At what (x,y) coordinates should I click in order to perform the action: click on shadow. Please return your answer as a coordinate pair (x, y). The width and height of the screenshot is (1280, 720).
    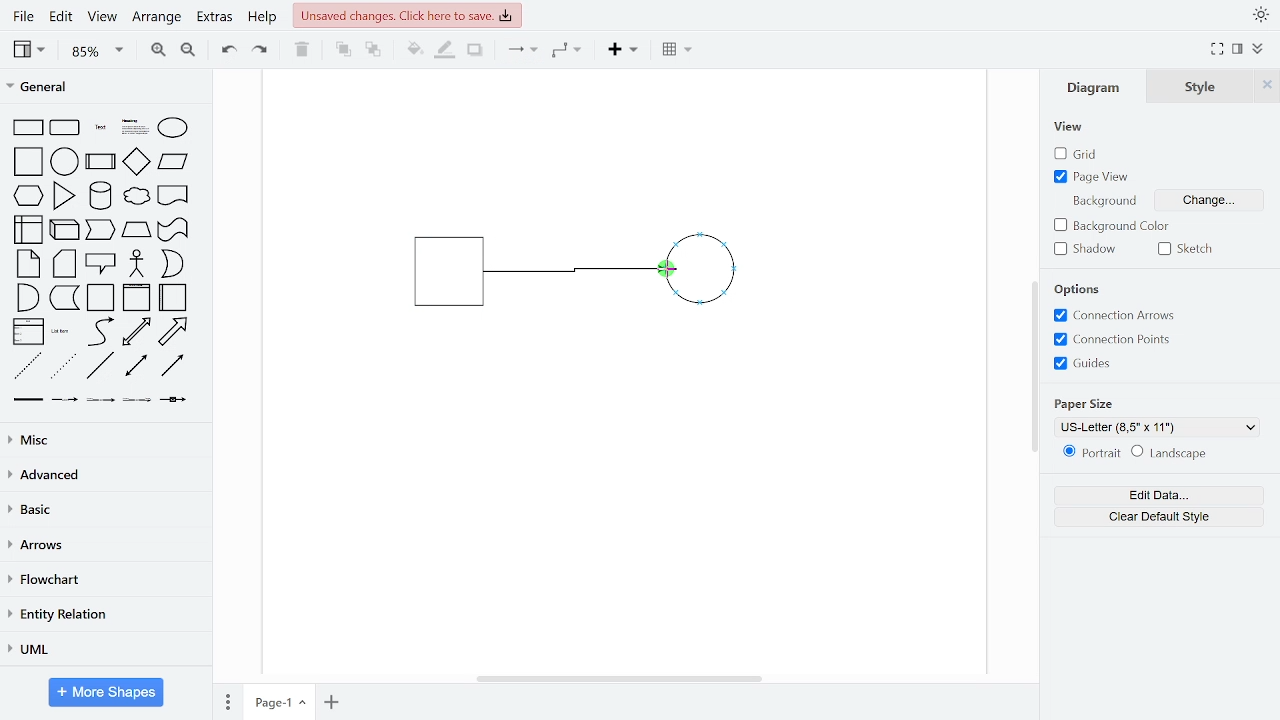
    Looking at the image, I should click on (476, 51).